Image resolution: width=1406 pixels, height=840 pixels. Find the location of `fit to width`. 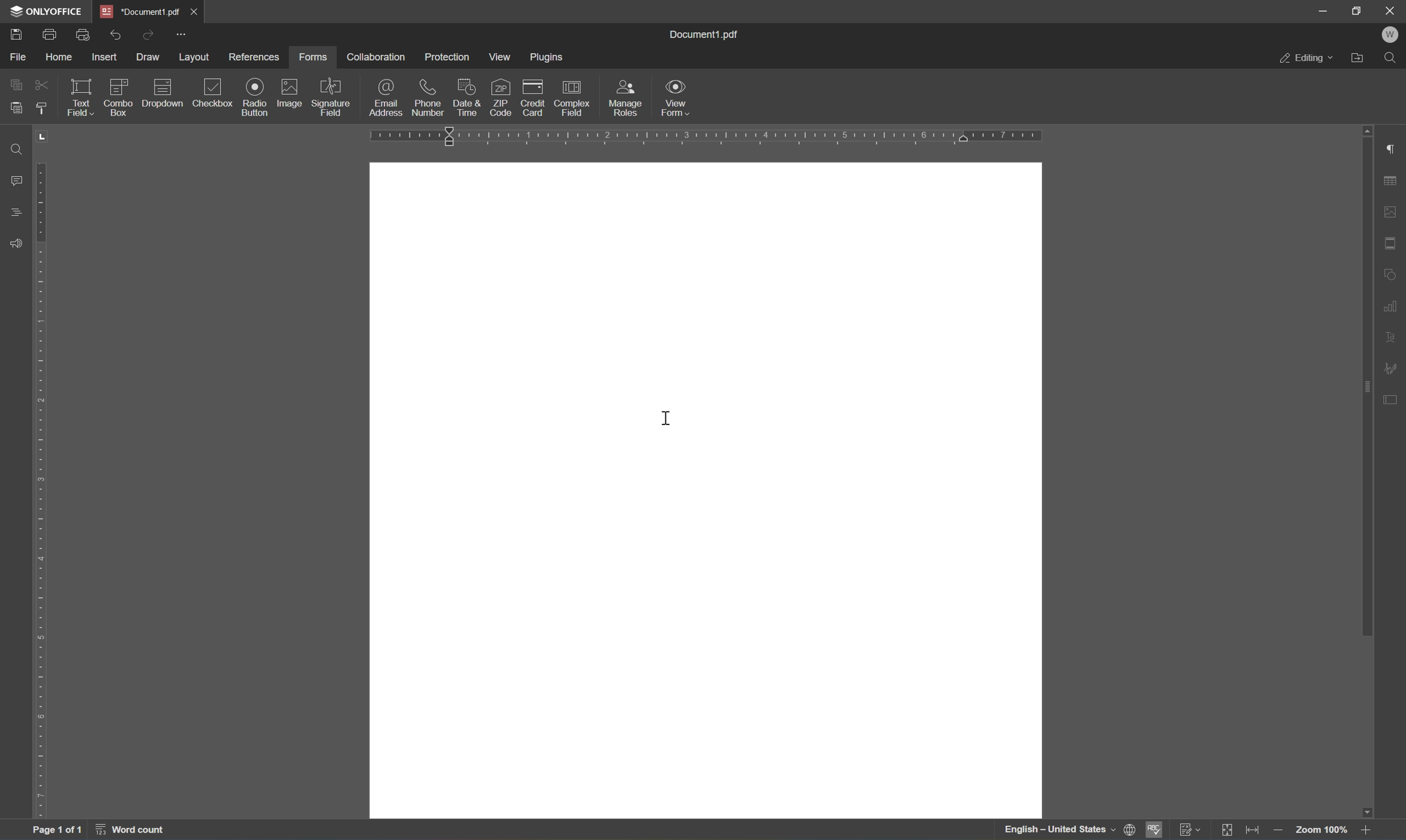

fit to width is located at coordinates (1258, 830).